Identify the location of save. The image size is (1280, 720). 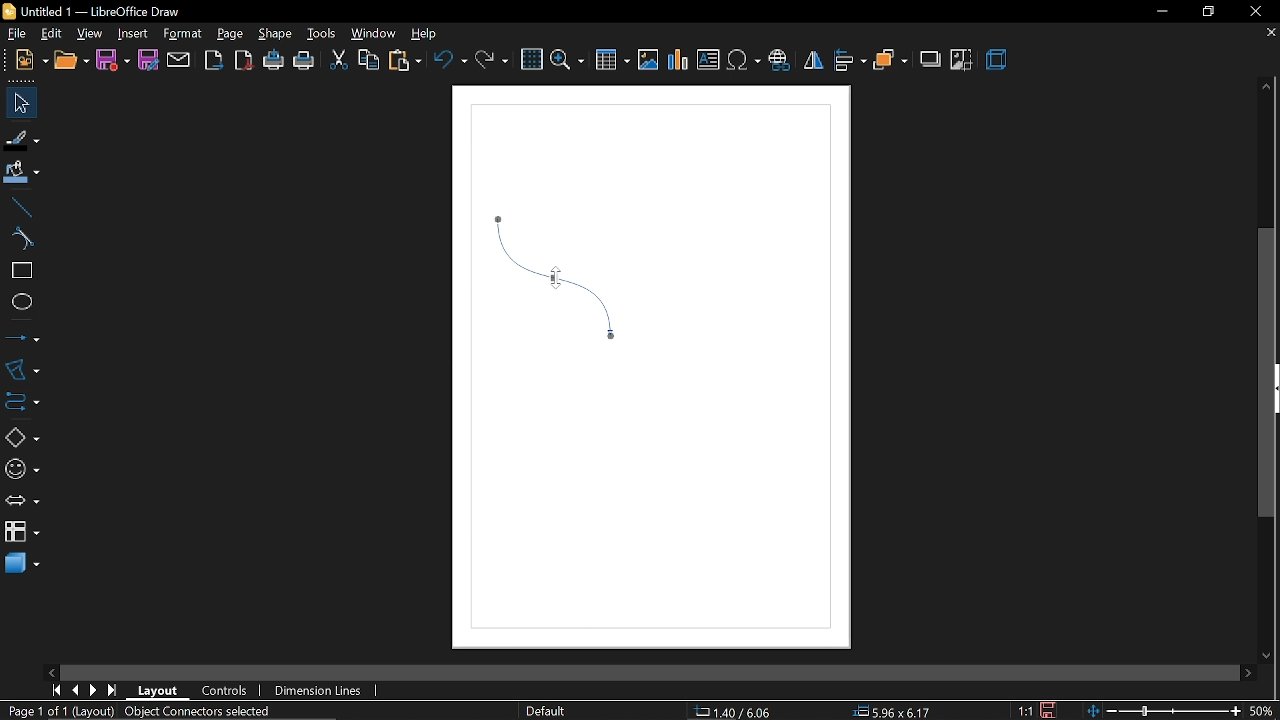
(113, 61).